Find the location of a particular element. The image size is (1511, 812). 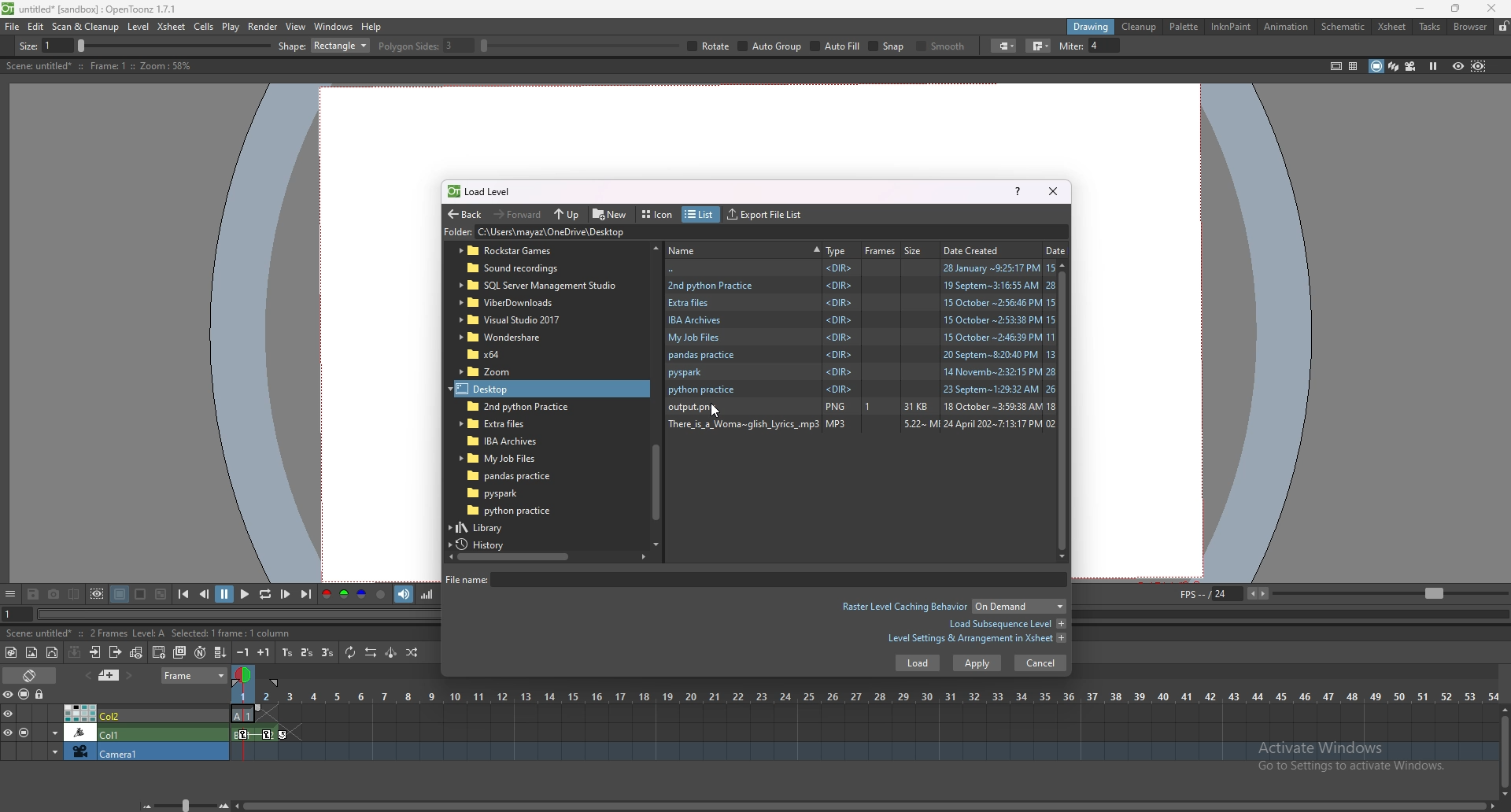

description is located at coordinates (130, 632).